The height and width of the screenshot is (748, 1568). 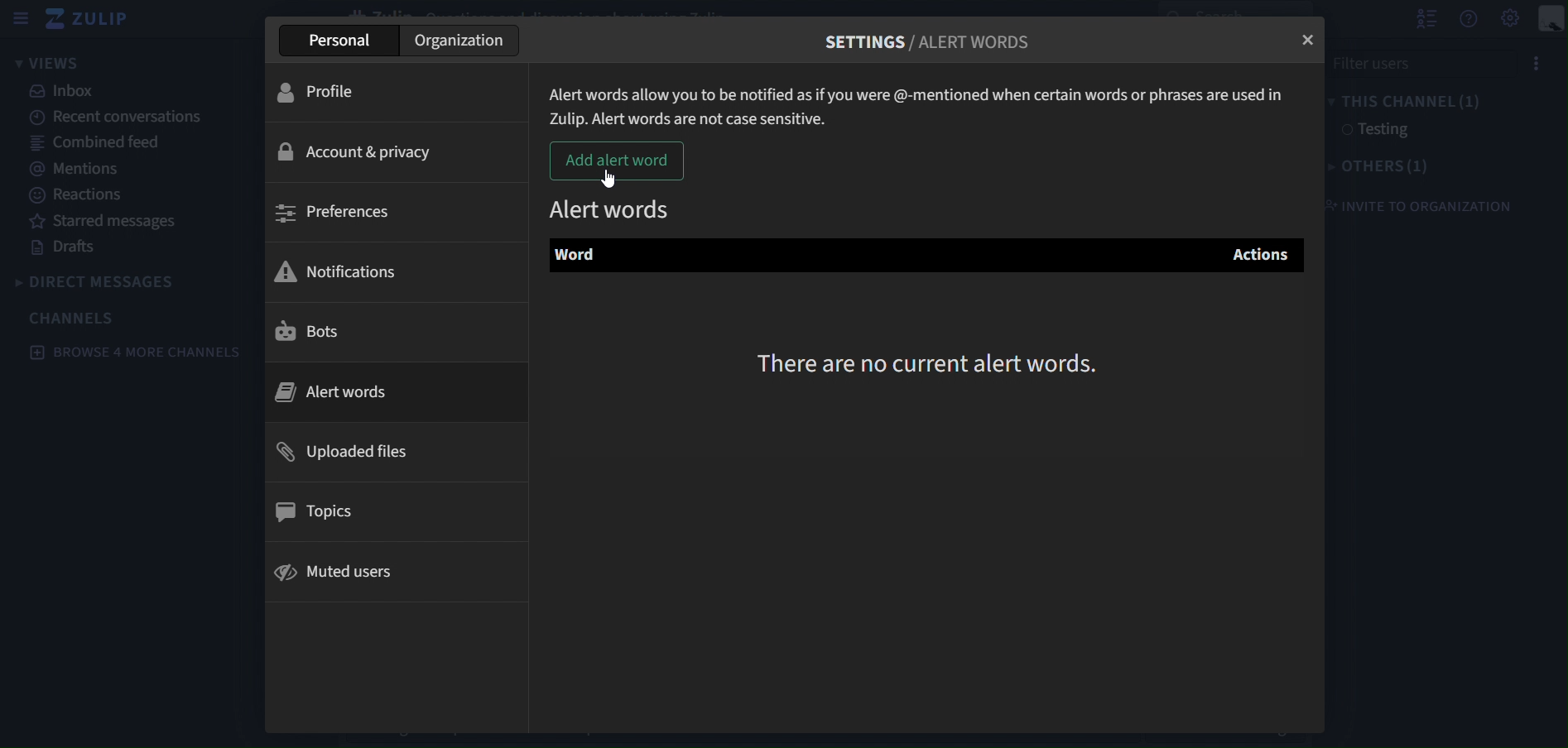 I want to click on close, so click(x=1311, y=41).